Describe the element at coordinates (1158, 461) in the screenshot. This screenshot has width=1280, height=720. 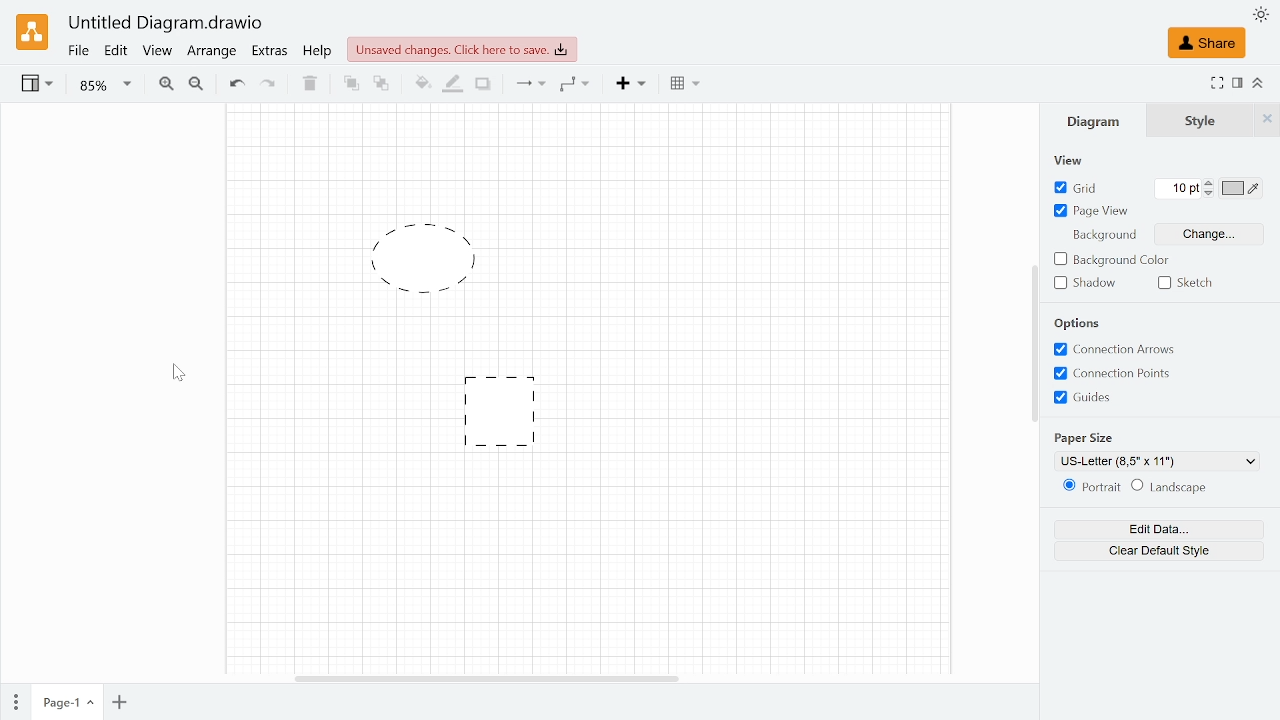
I see `Paper size` at that location.